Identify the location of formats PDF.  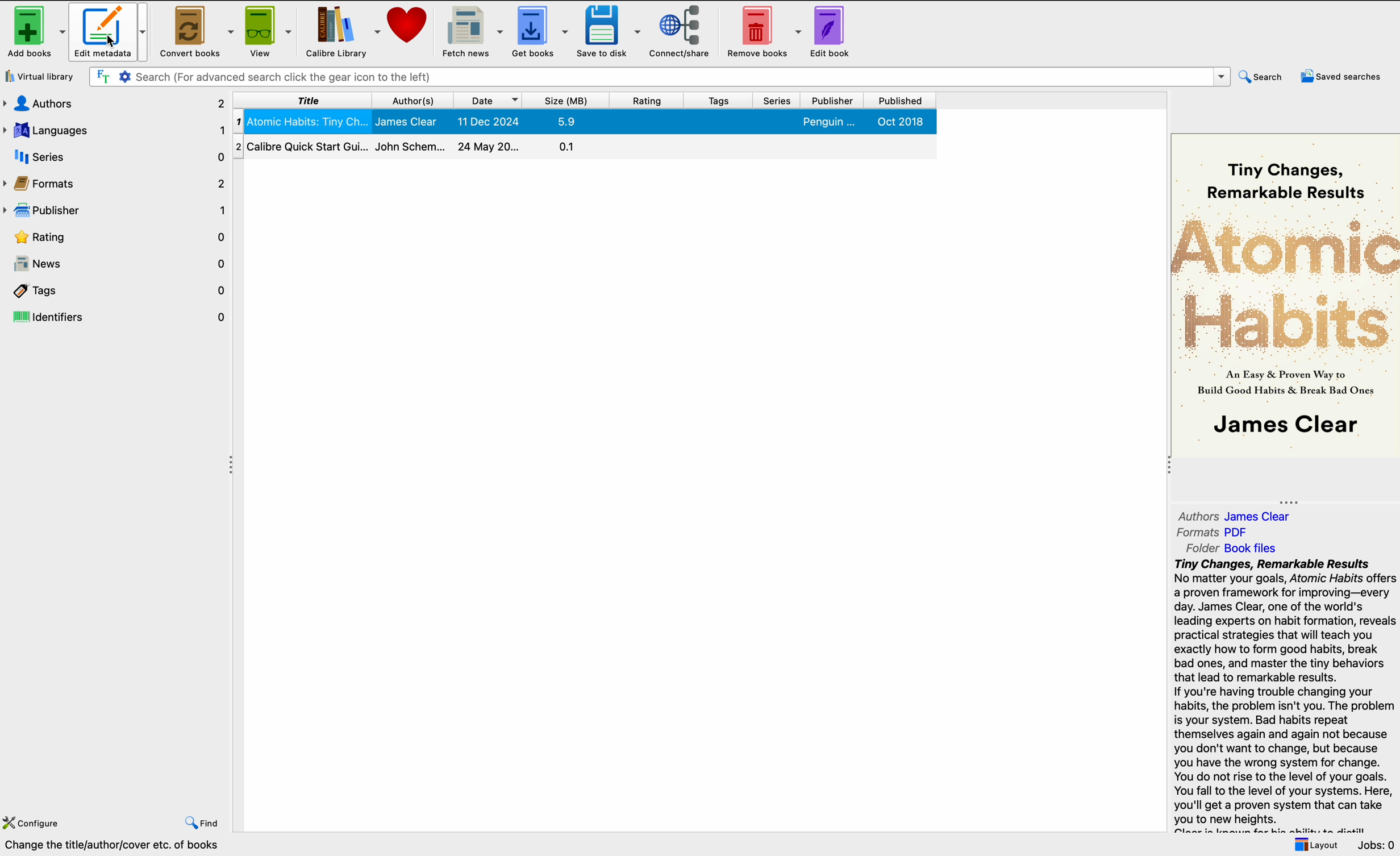
(1212, 533).